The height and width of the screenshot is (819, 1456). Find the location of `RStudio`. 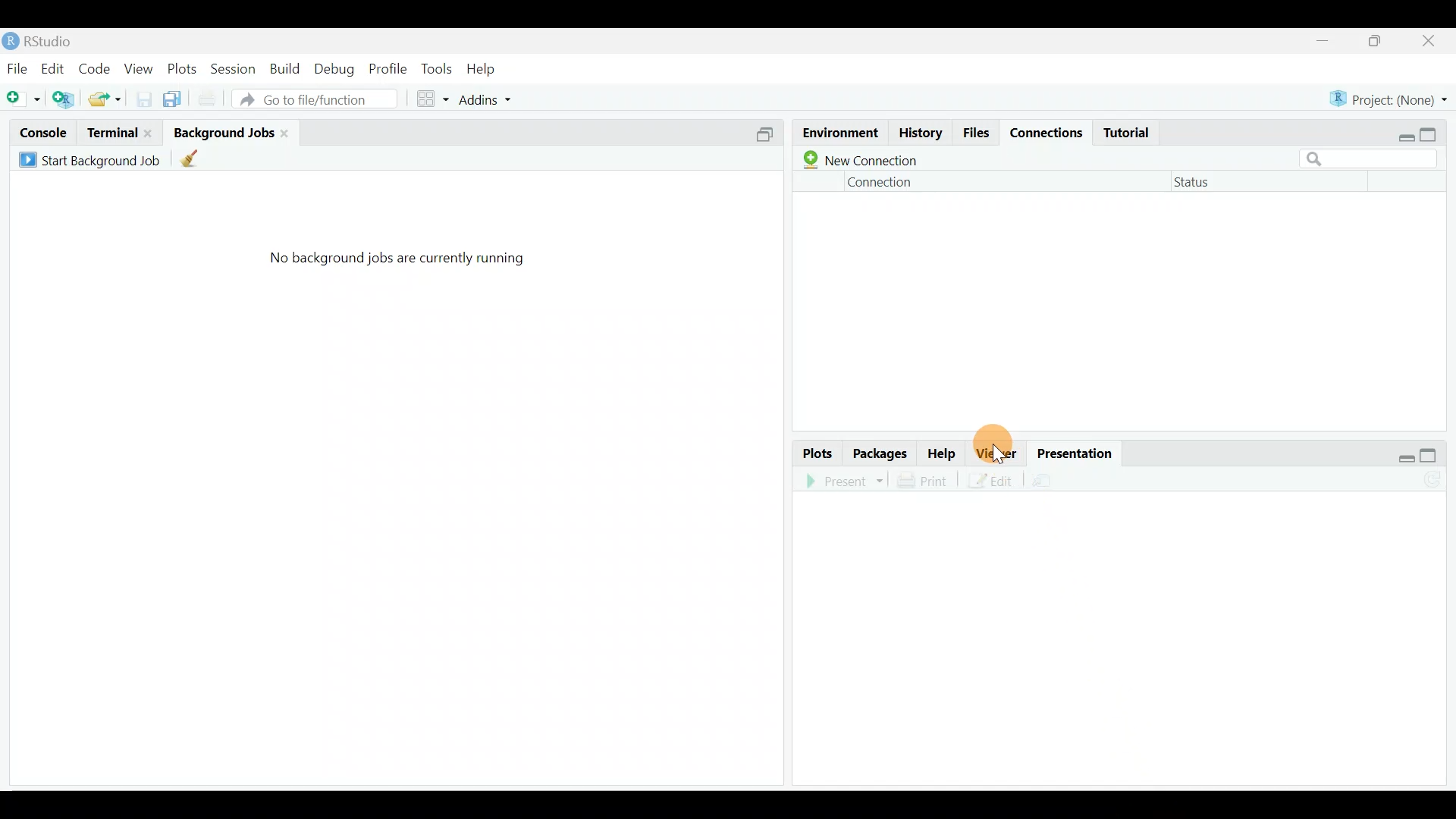

RStudio is located at coordinates (61, 39).